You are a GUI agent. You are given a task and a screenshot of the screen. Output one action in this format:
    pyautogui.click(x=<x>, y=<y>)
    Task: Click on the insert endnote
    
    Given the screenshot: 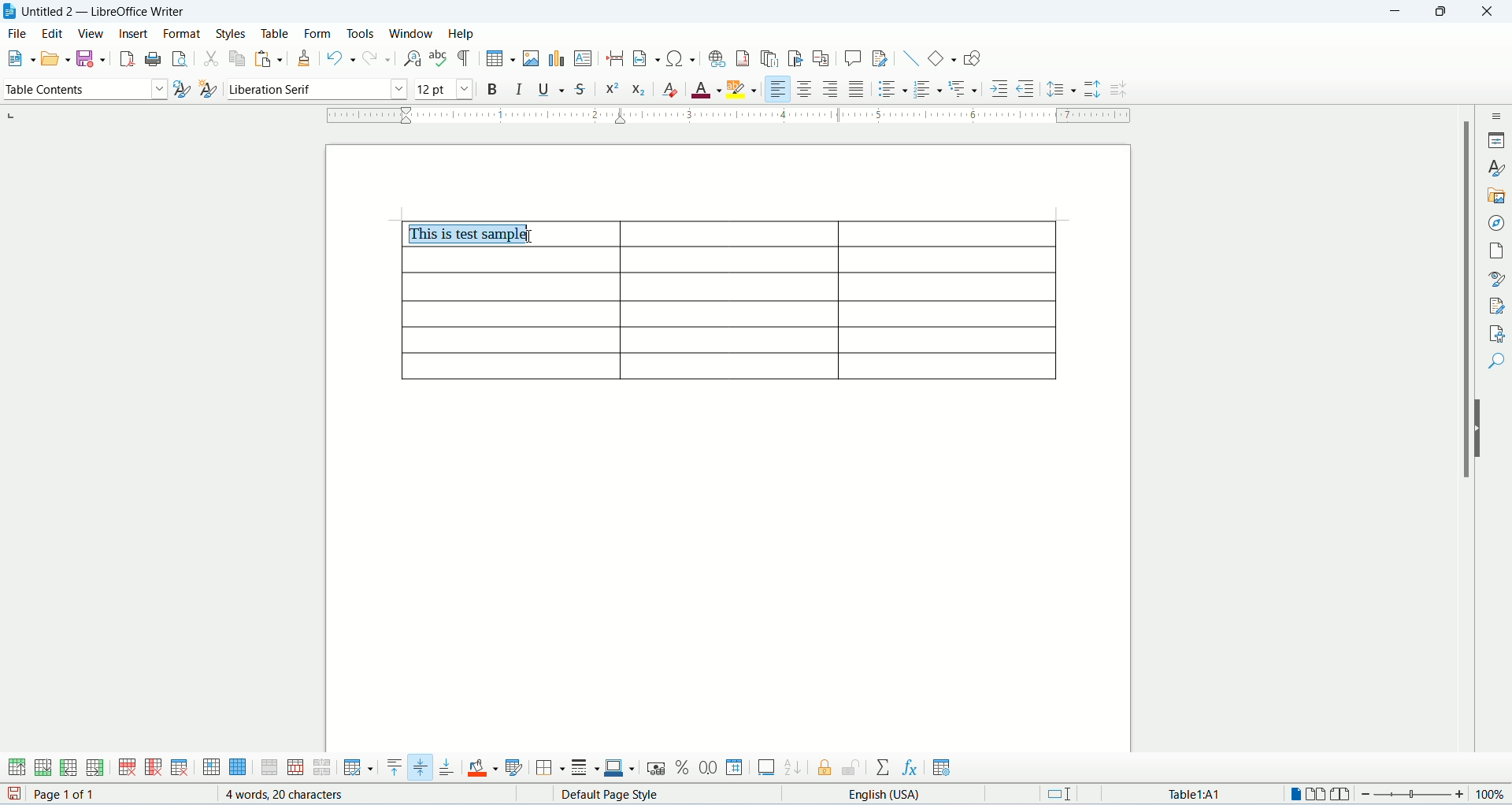 What is the action you would take?
    pyautogui.click(x=770, y=59)
    